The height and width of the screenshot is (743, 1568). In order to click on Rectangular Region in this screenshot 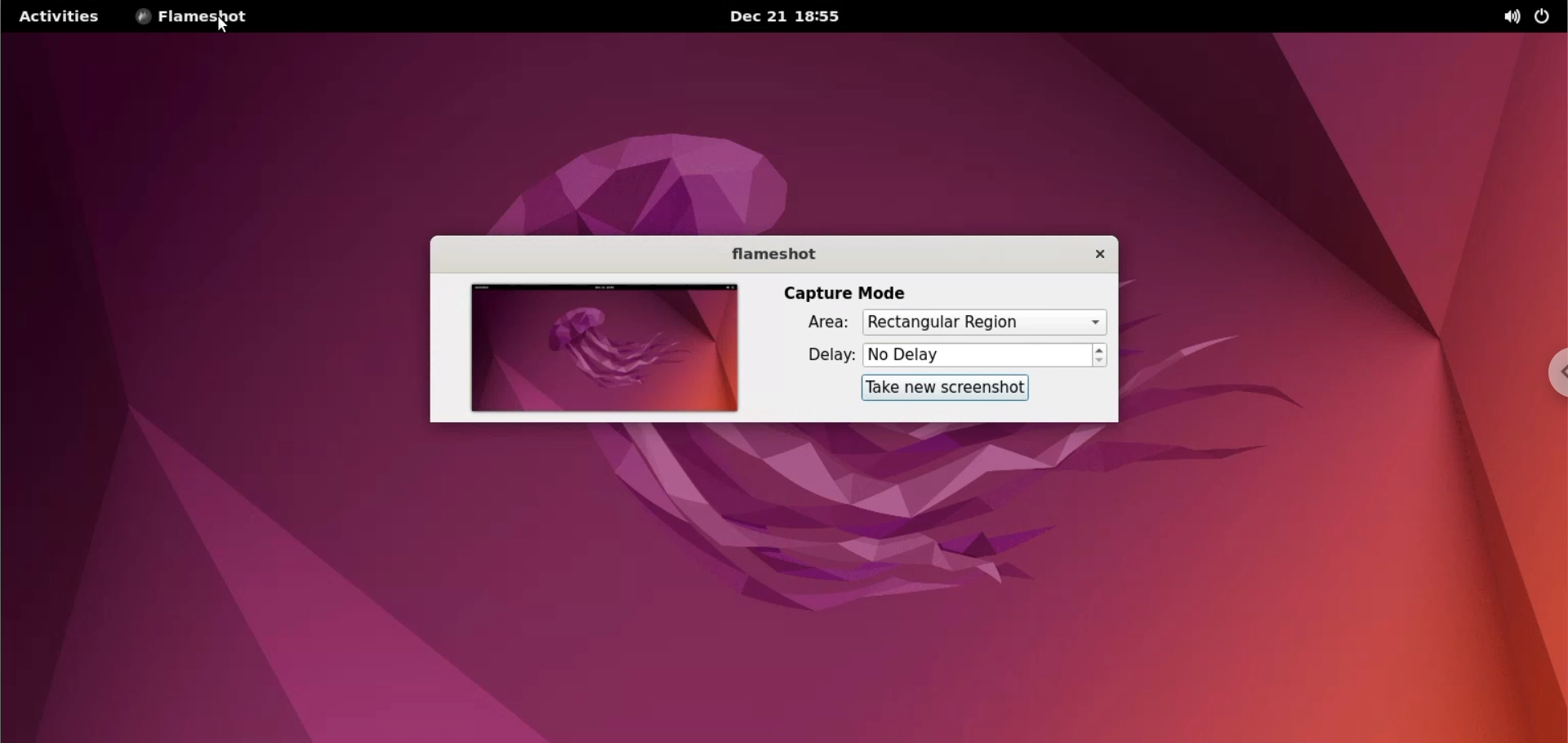, I will do `click(982, 323)`.